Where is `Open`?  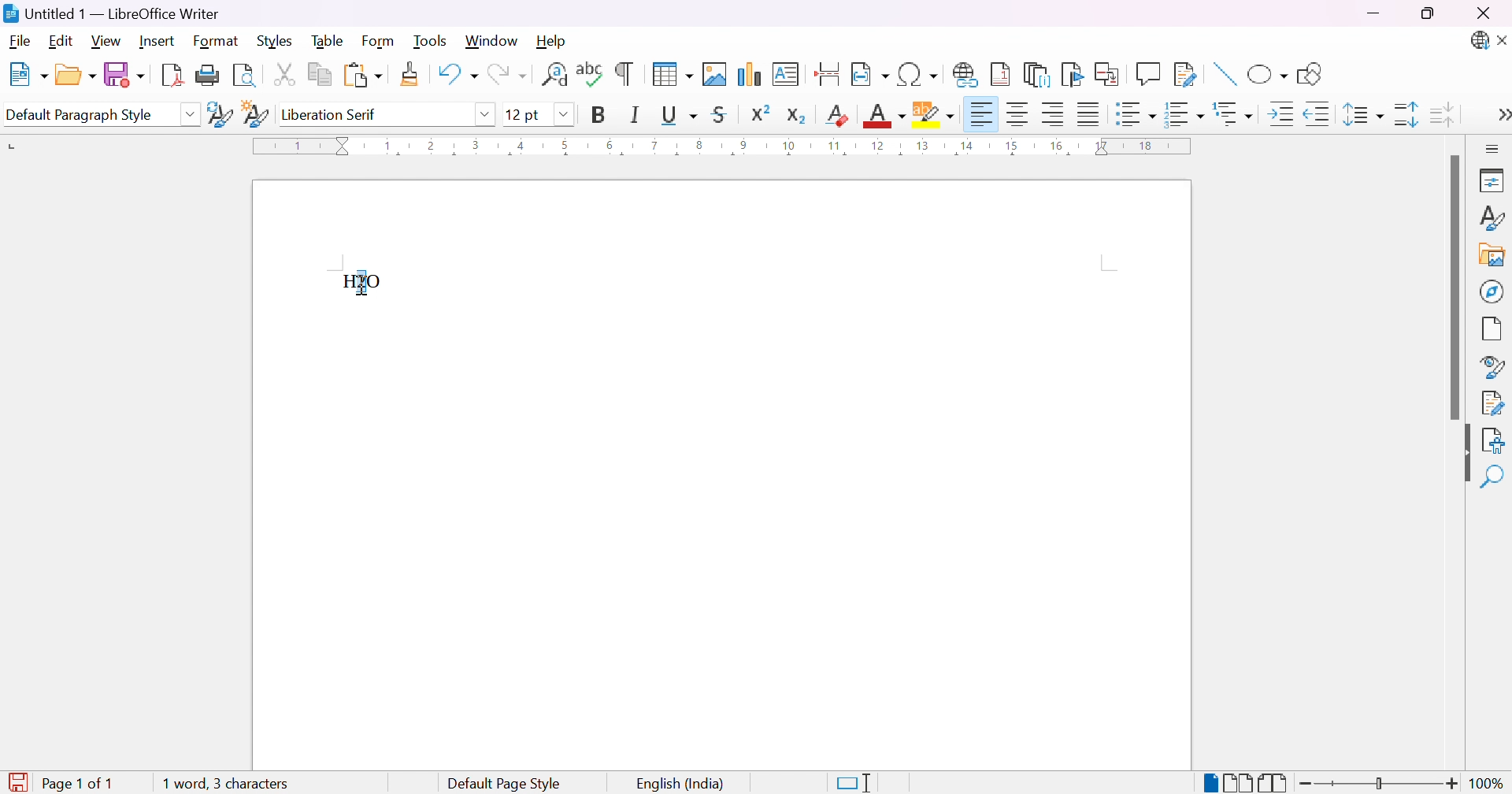 Open is located at coordinates (75, 73).